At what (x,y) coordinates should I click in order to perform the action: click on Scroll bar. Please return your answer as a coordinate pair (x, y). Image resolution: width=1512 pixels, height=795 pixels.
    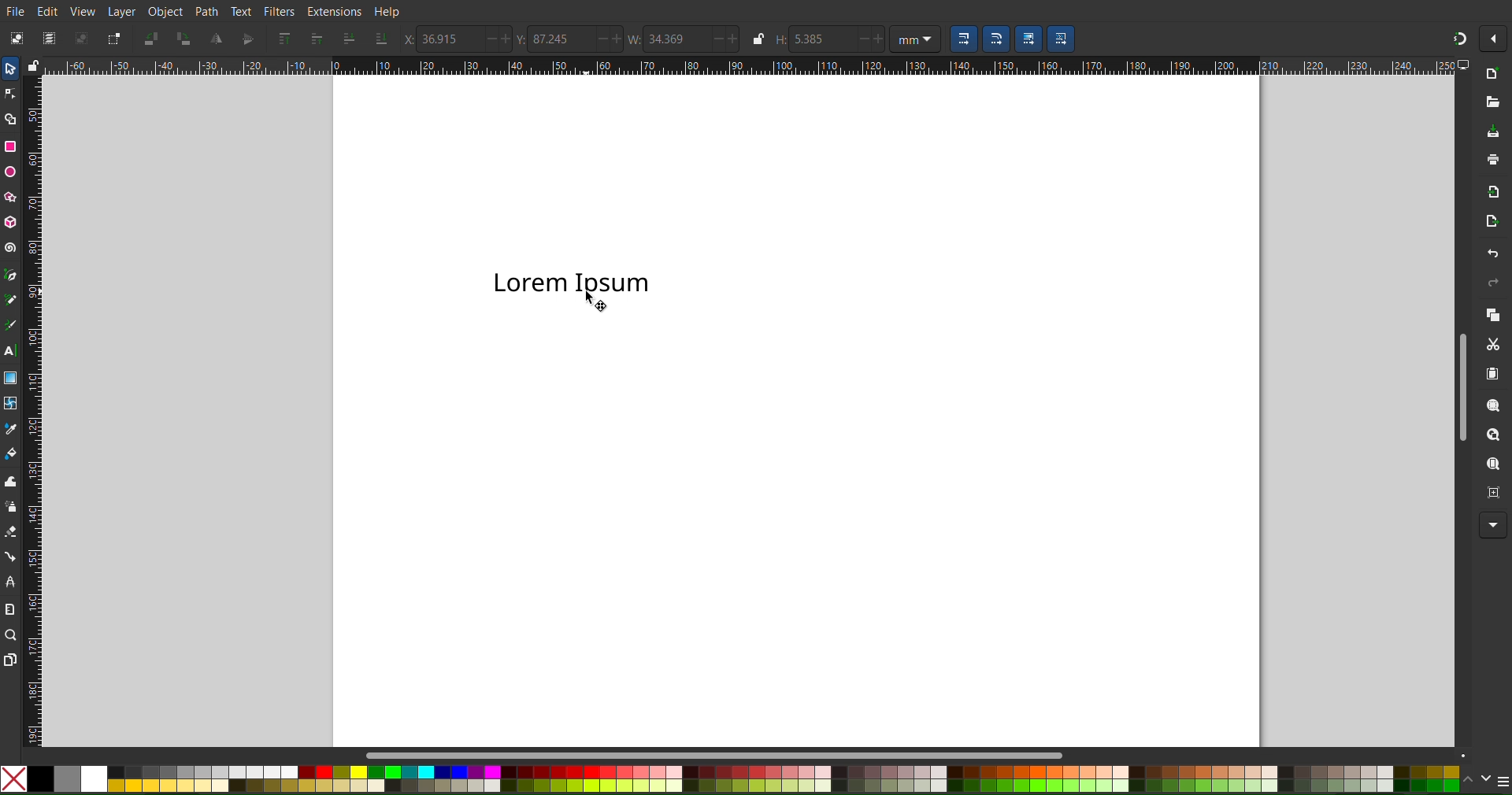
    Looking at the image, I should click on (707, 751).